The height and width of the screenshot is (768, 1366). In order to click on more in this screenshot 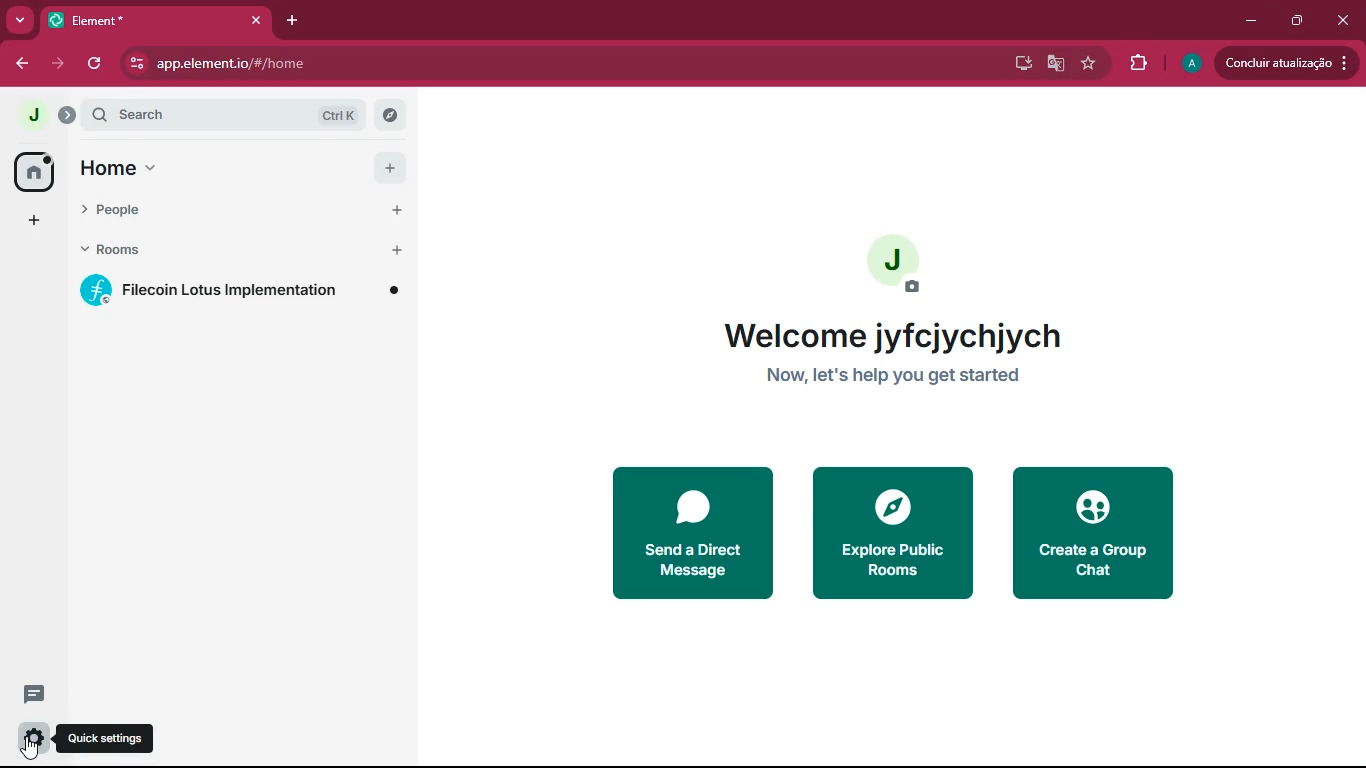, I will do `click(19, 20)`.